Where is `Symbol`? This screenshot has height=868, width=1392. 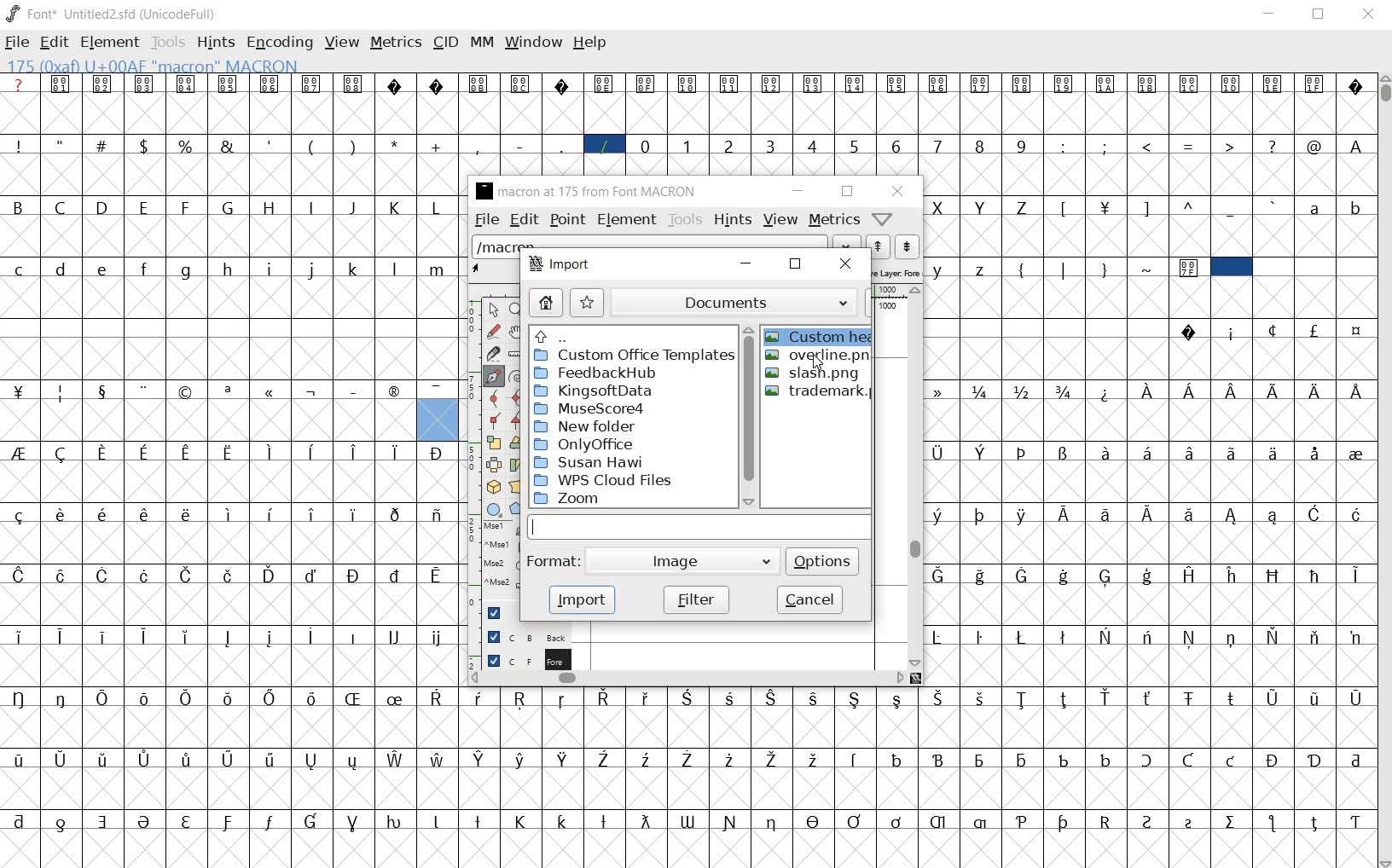
Symbol is located at coordinates (190, 820).